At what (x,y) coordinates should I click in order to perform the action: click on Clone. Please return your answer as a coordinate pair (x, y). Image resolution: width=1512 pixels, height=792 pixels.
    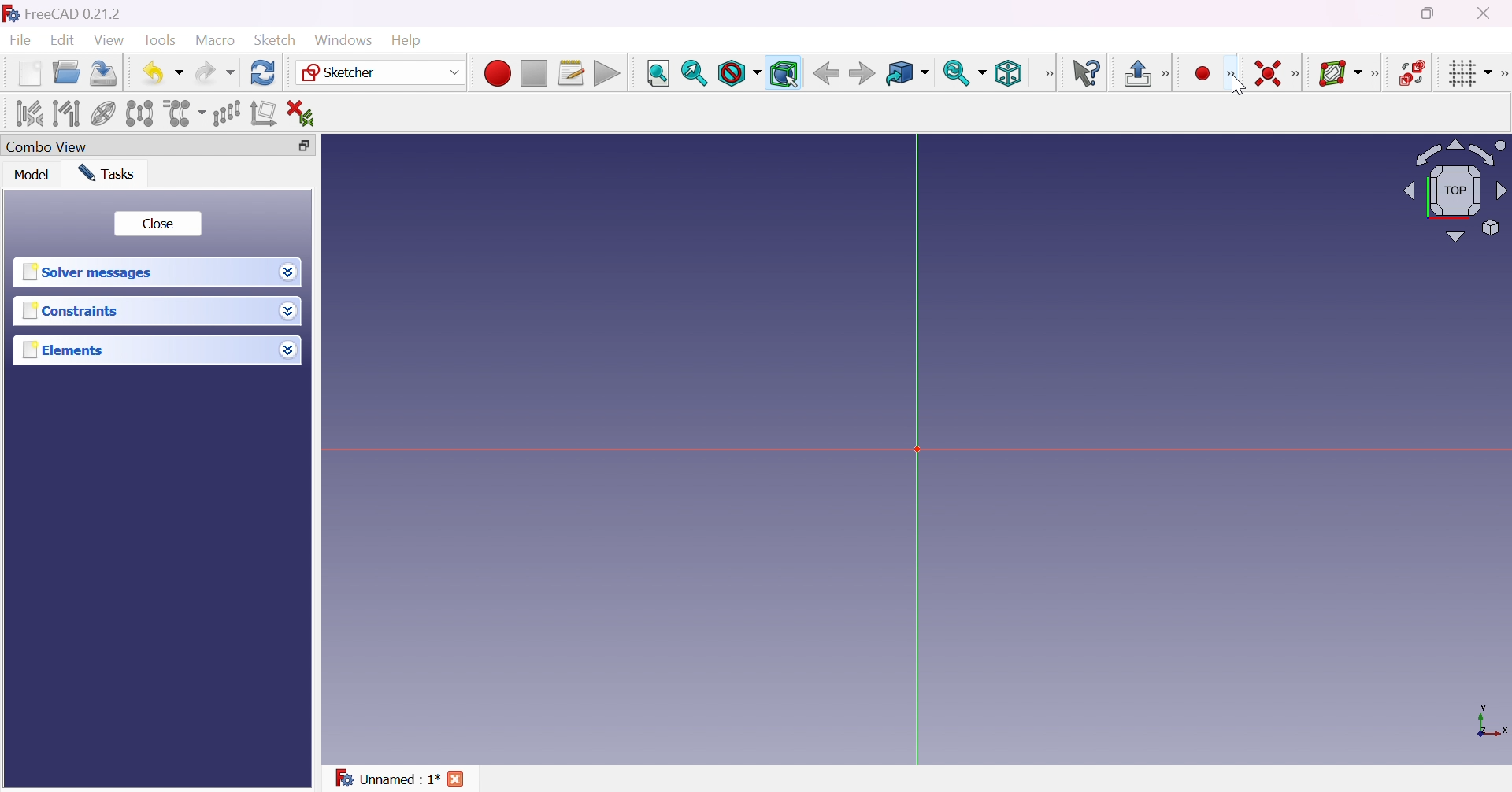
    Looking at the image, I should click on (183, 112).